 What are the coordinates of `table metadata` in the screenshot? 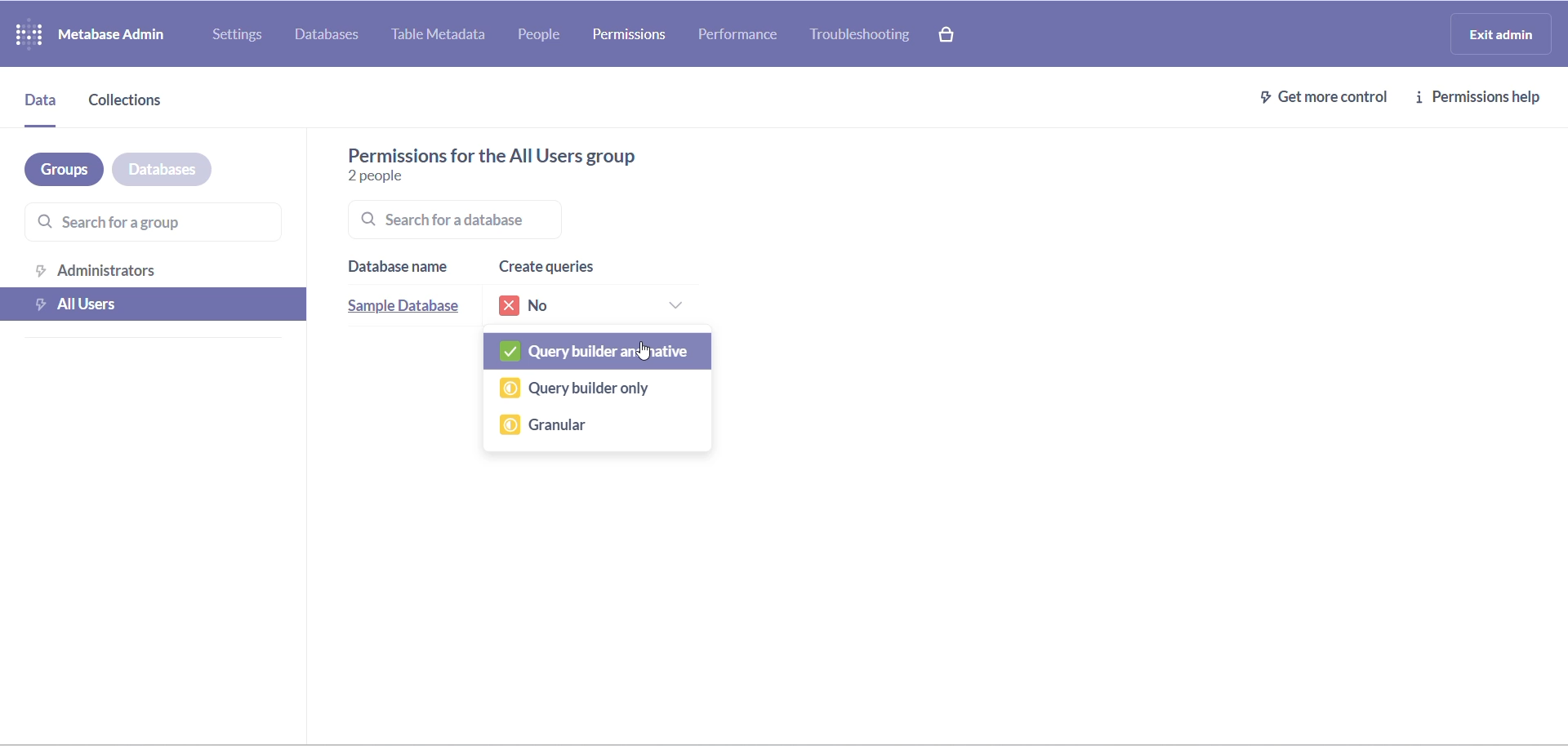 It's located at (445, 36).